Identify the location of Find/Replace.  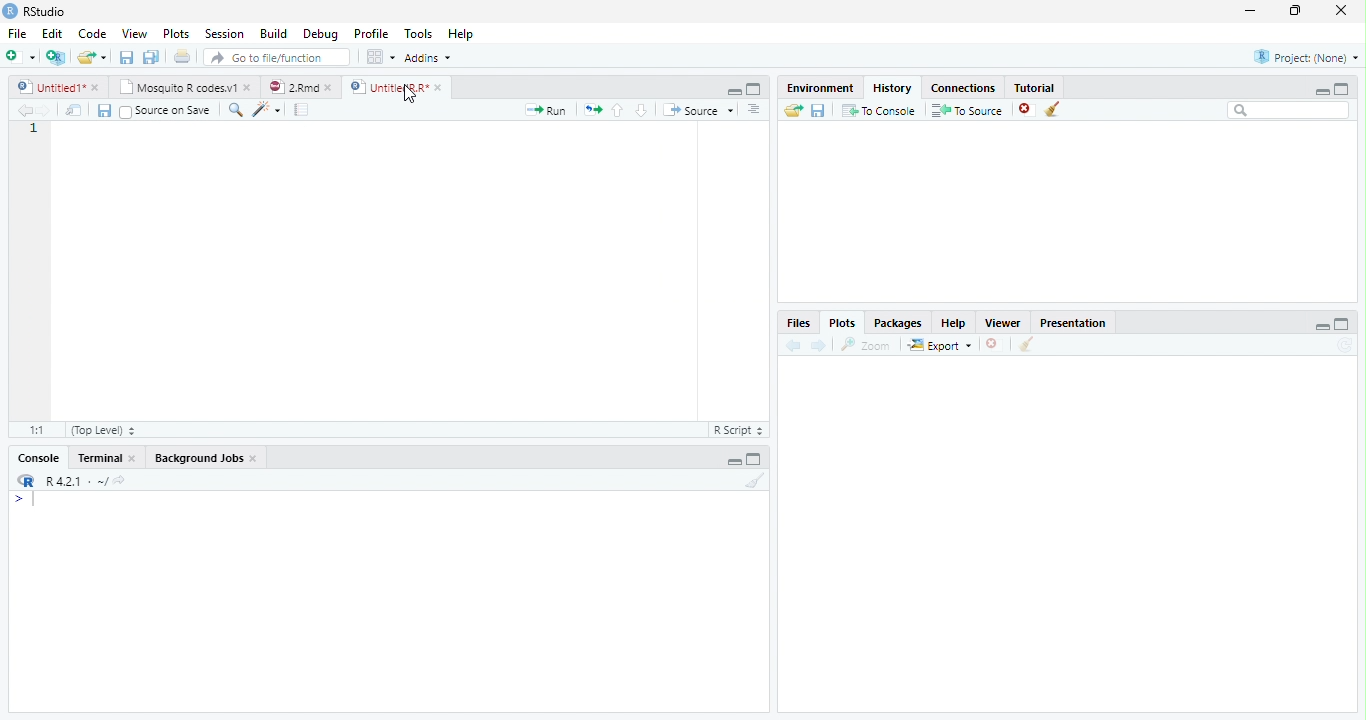
(235, 110).